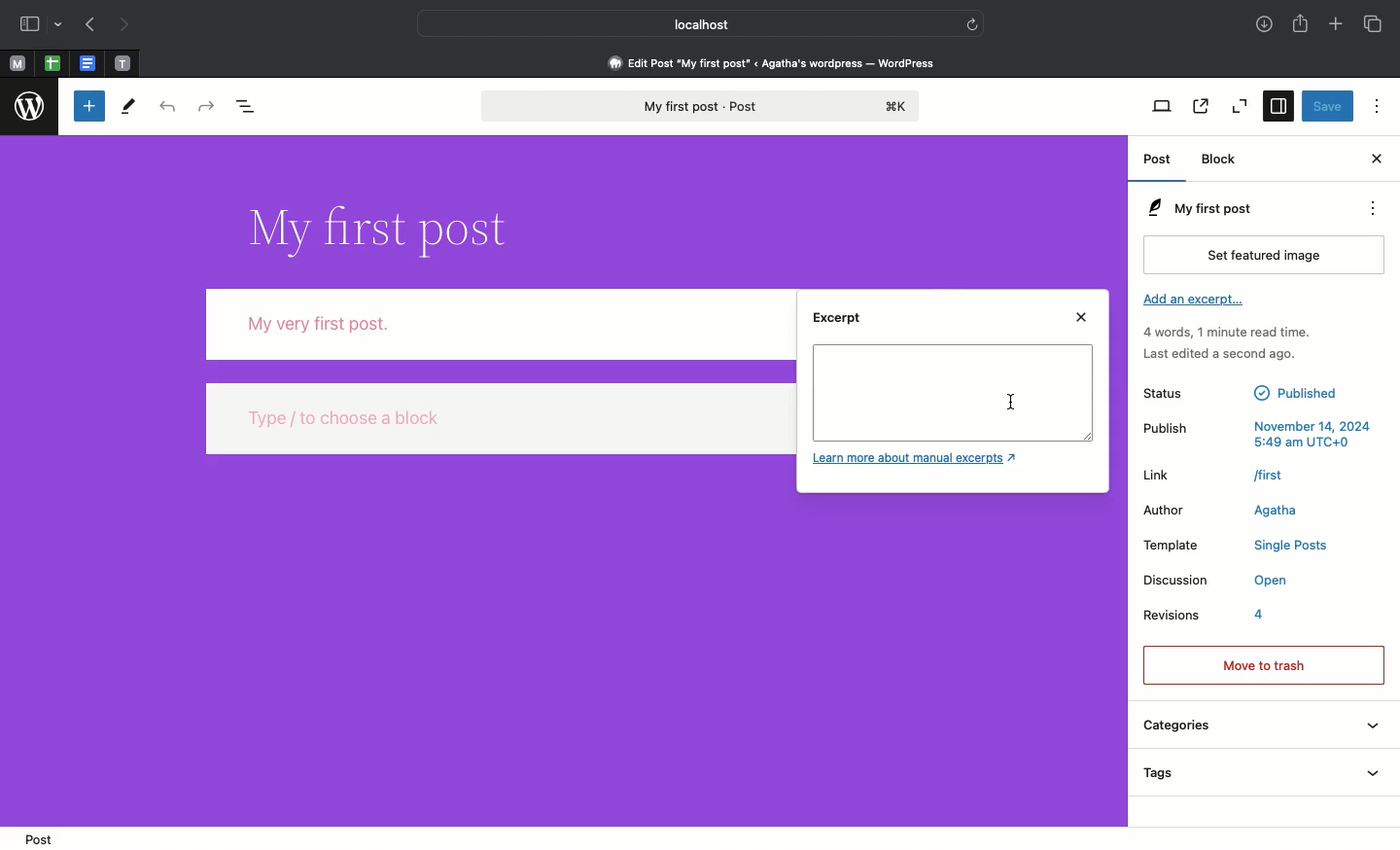 This screenshot has height=850, width=1400. Describe the element at coordinates (165, 108) in the screenshot. I see `Undo` at that location.